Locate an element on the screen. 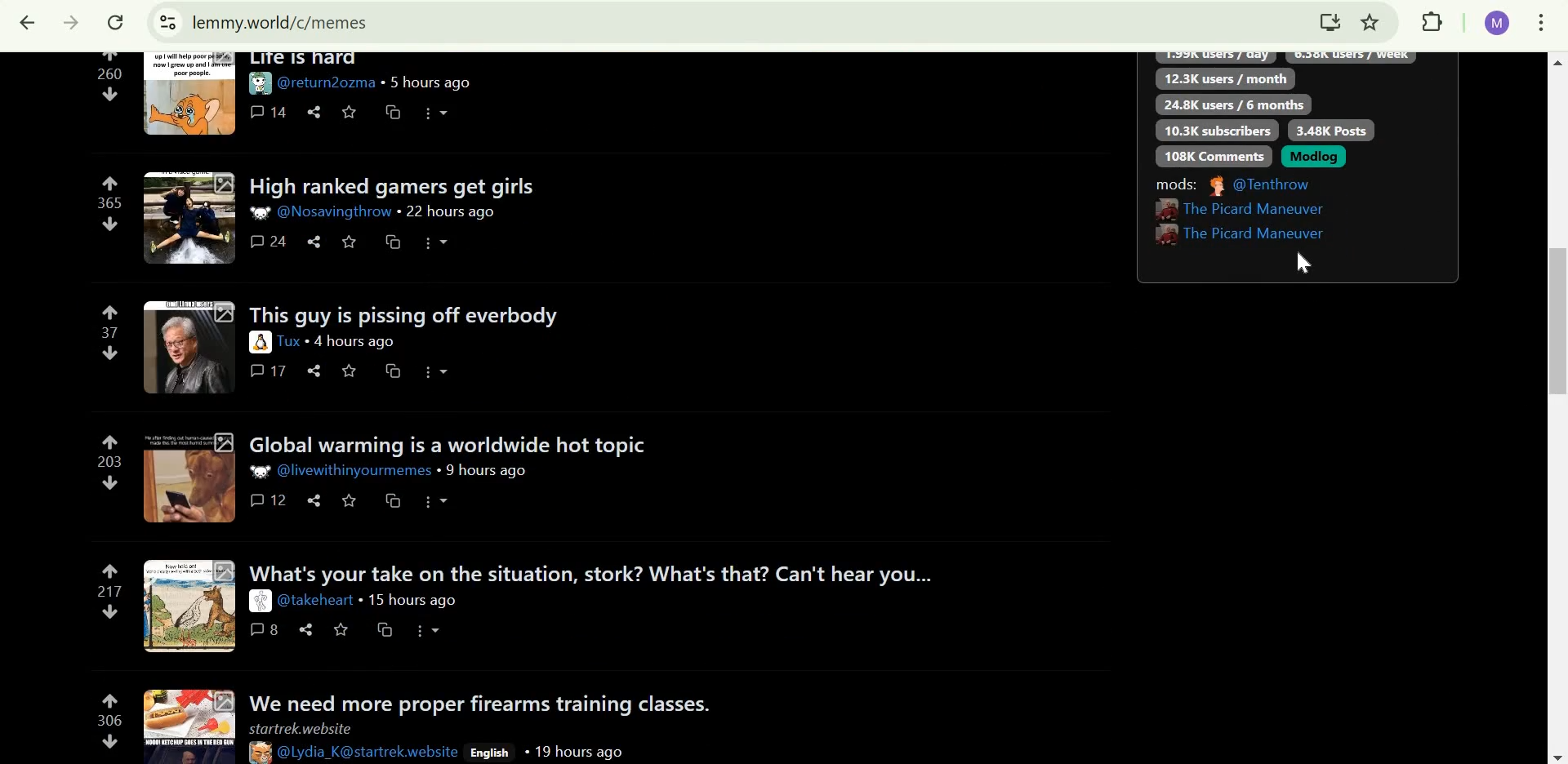  save is located at coordinates (350, 109).